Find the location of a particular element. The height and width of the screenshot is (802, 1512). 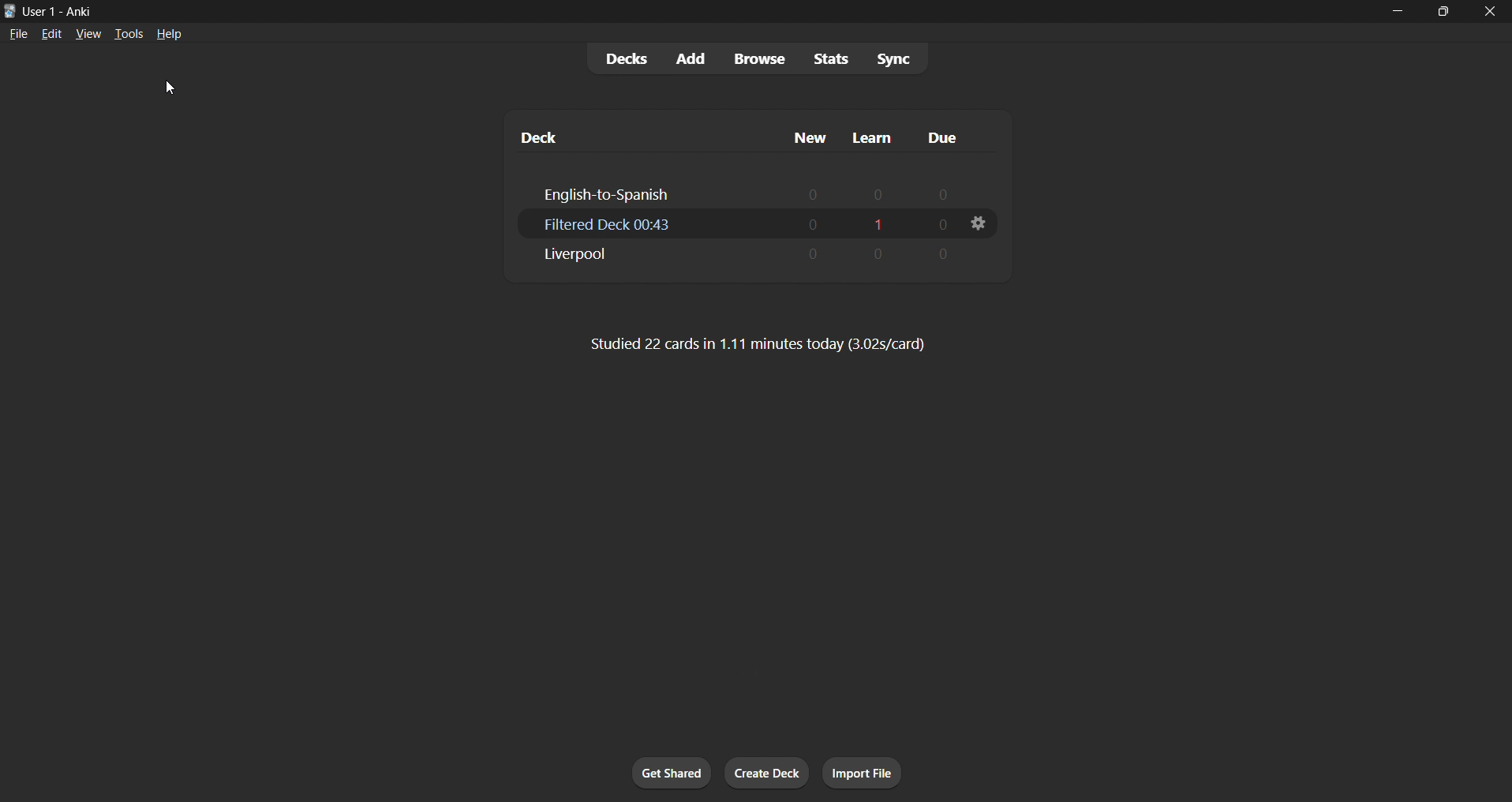

stats is located at coordinates (826, 58).